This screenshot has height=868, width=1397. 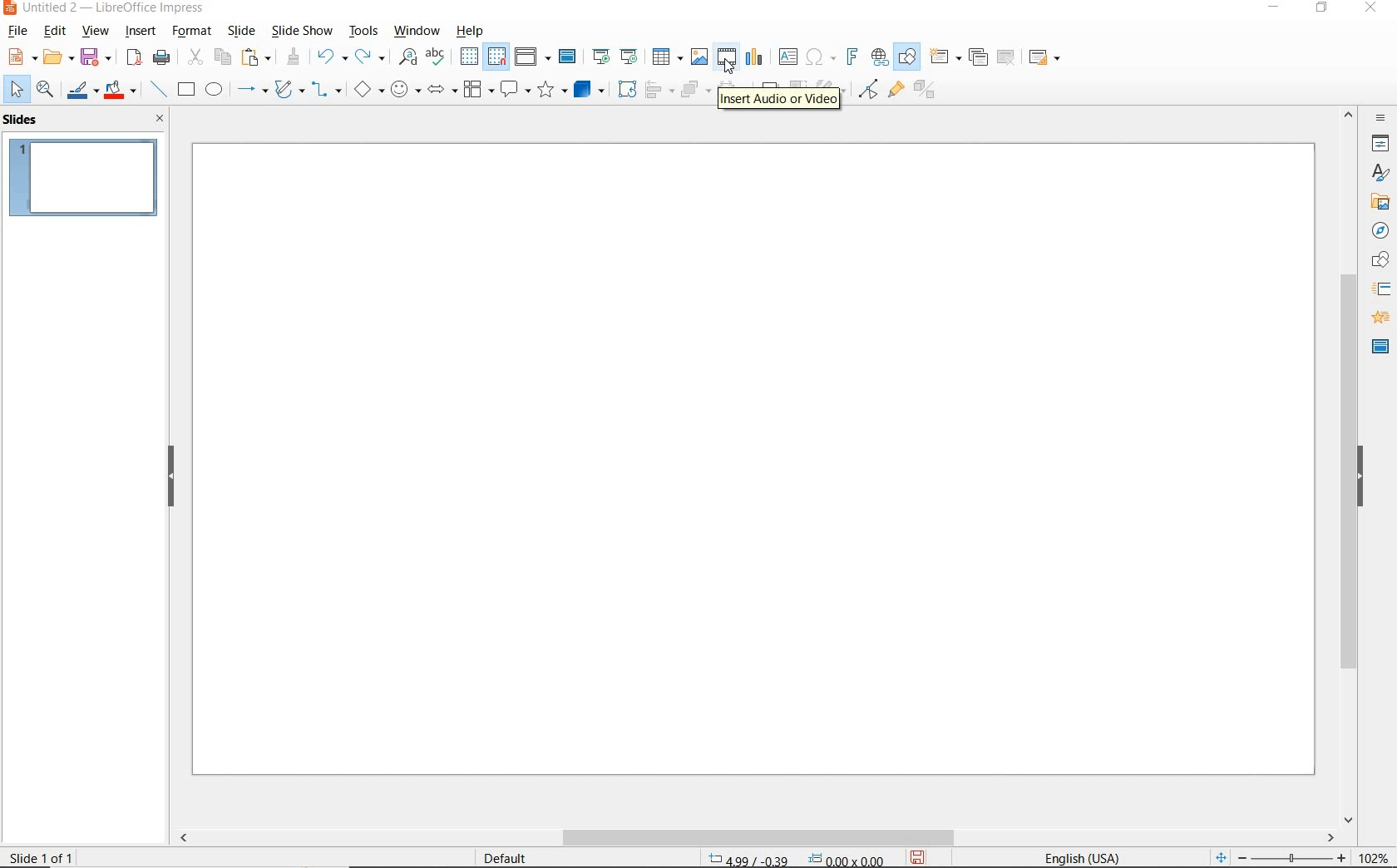 I want to click on SAVE, so click(x=922, y=856).